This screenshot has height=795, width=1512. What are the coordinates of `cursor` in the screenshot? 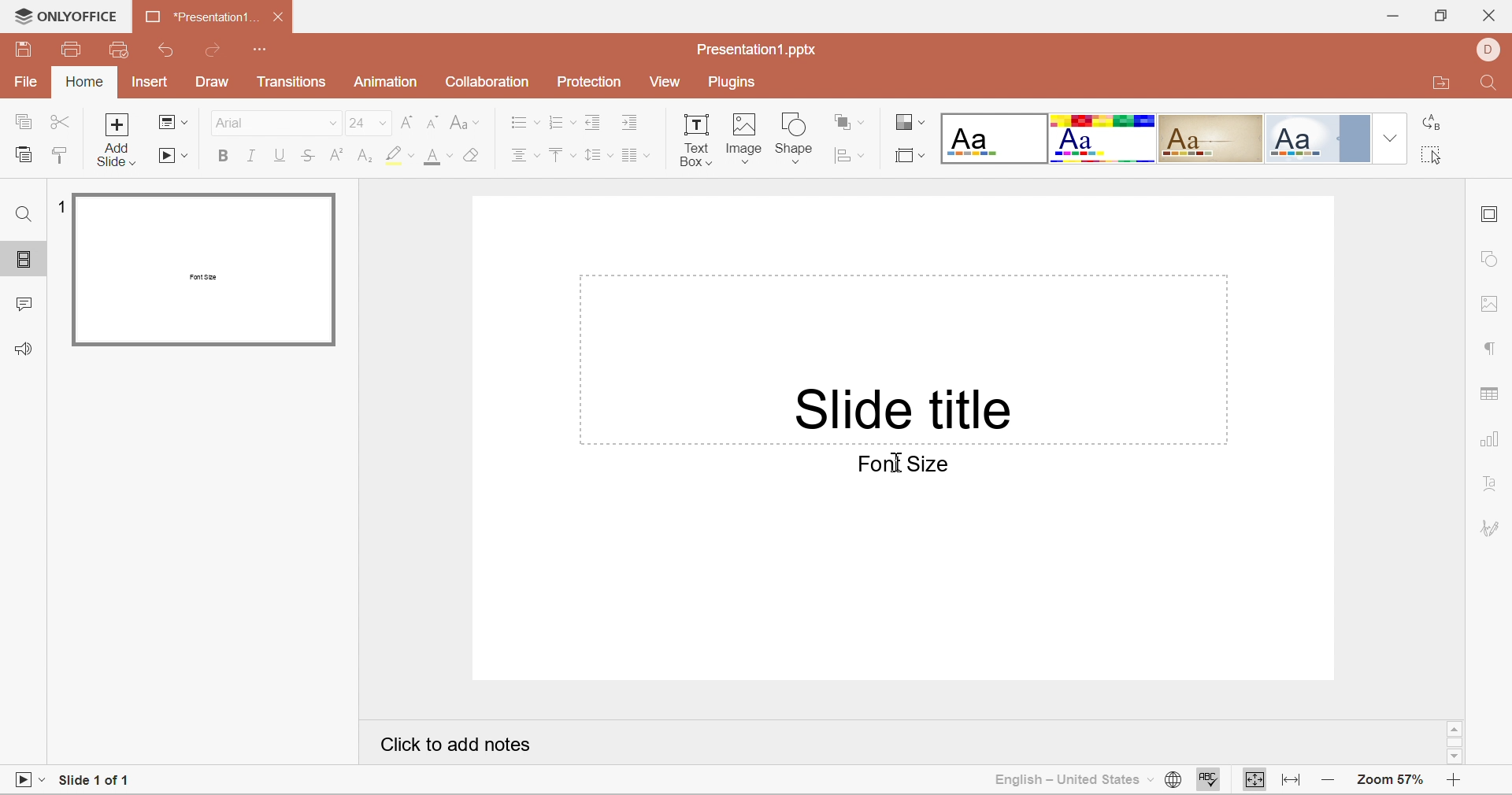 It's located at (900, 462).